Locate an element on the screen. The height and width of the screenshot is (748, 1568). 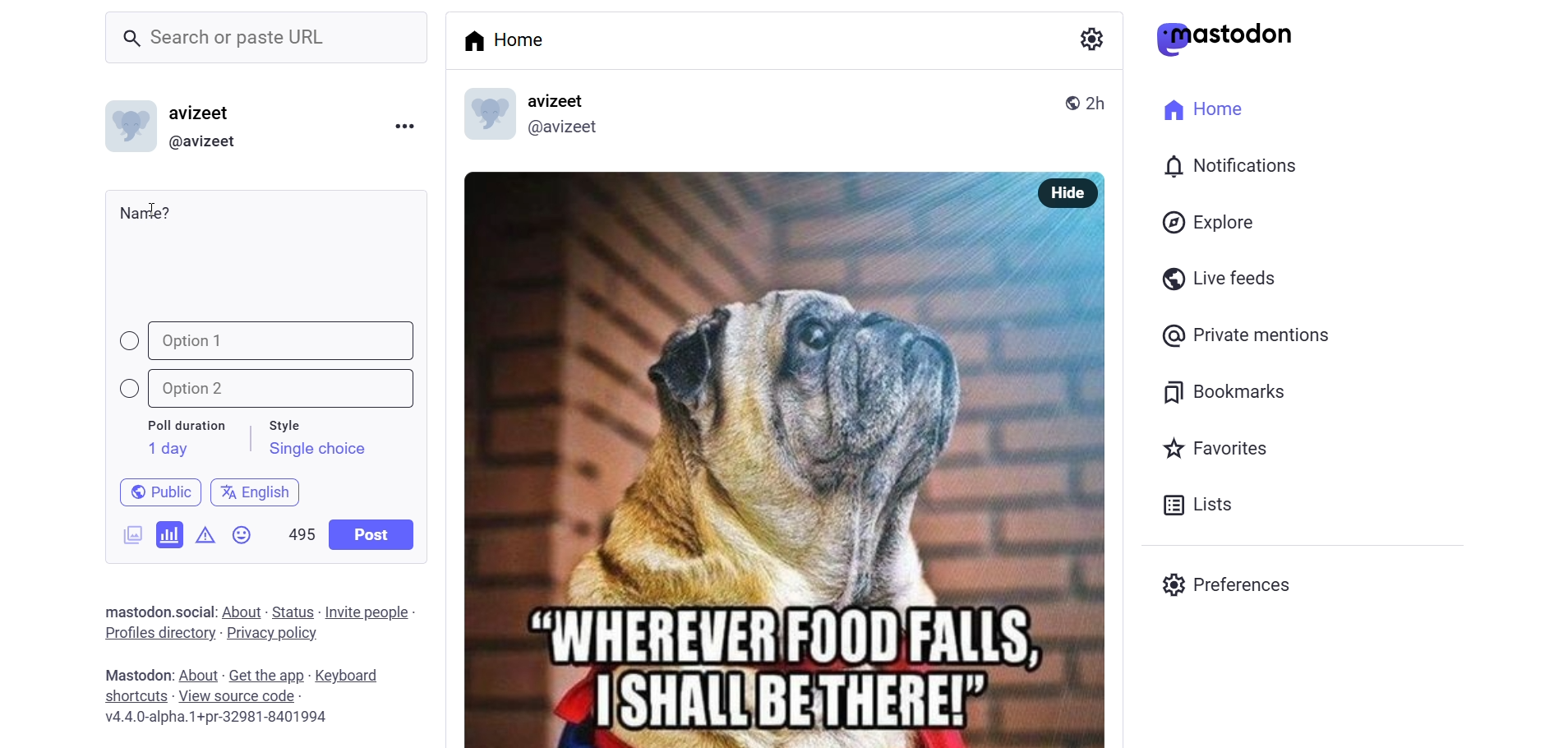
list is located at coordinates (1193, 505).